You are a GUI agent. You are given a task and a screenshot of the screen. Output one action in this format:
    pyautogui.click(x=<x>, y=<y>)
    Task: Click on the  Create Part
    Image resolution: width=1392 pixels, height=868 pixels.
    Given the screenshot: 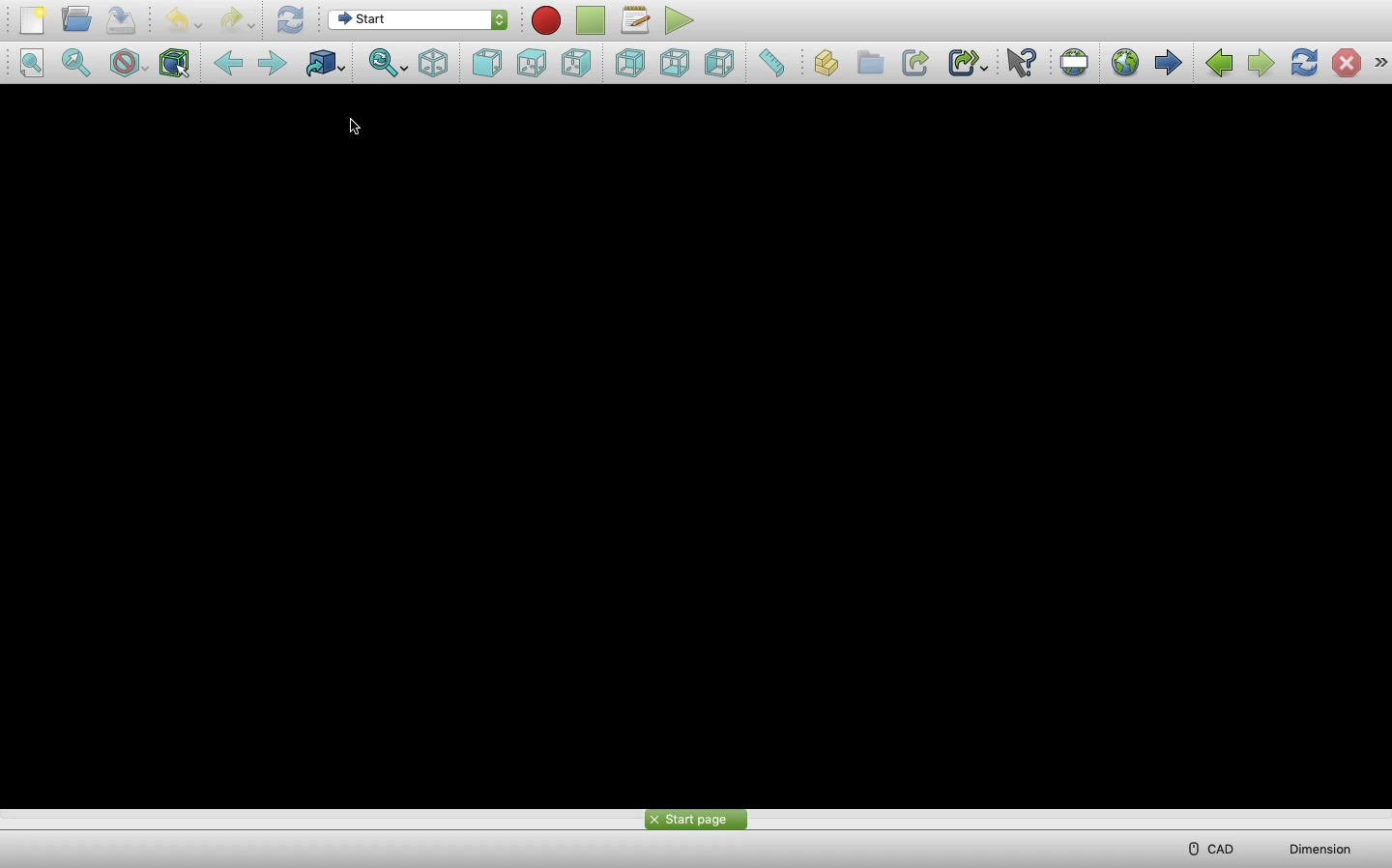 What is the action you would take?
    pyautogui.click(x=826, y=63)
    